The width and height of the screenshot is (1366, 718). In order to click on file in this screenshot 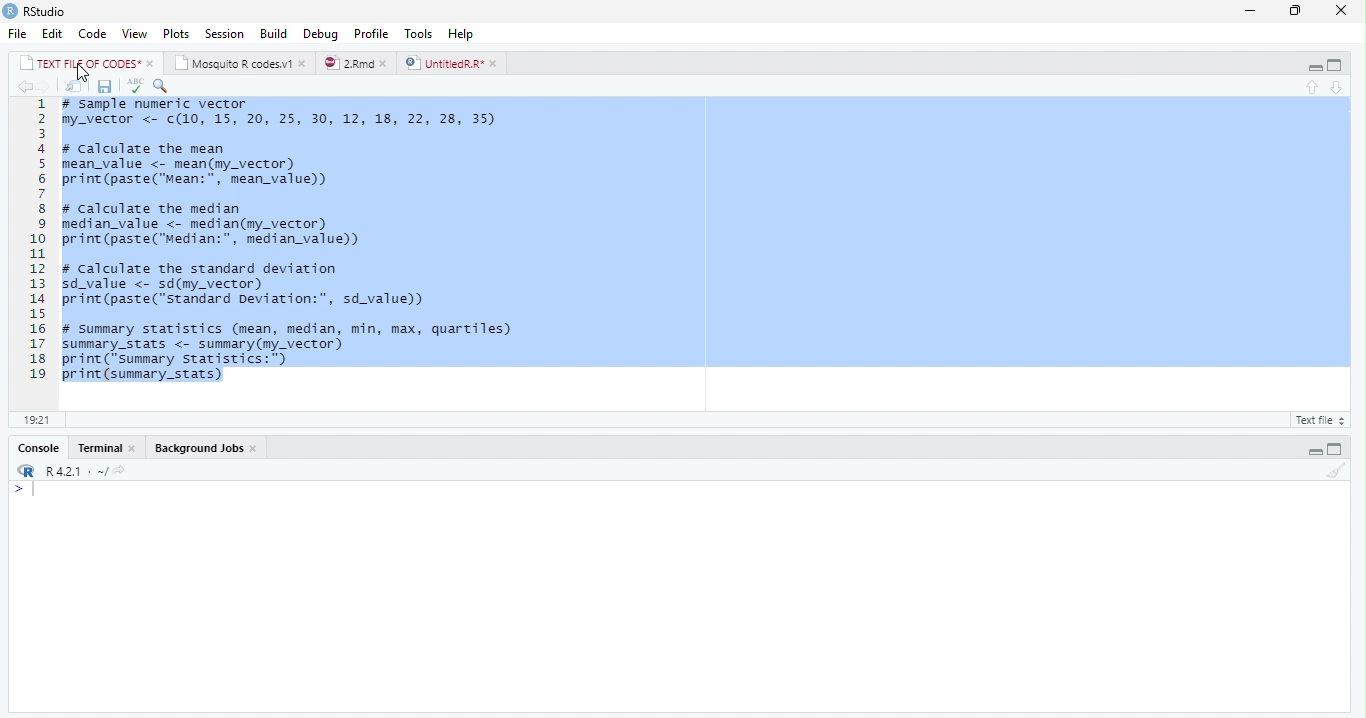, I will do `click(18, 33)`.